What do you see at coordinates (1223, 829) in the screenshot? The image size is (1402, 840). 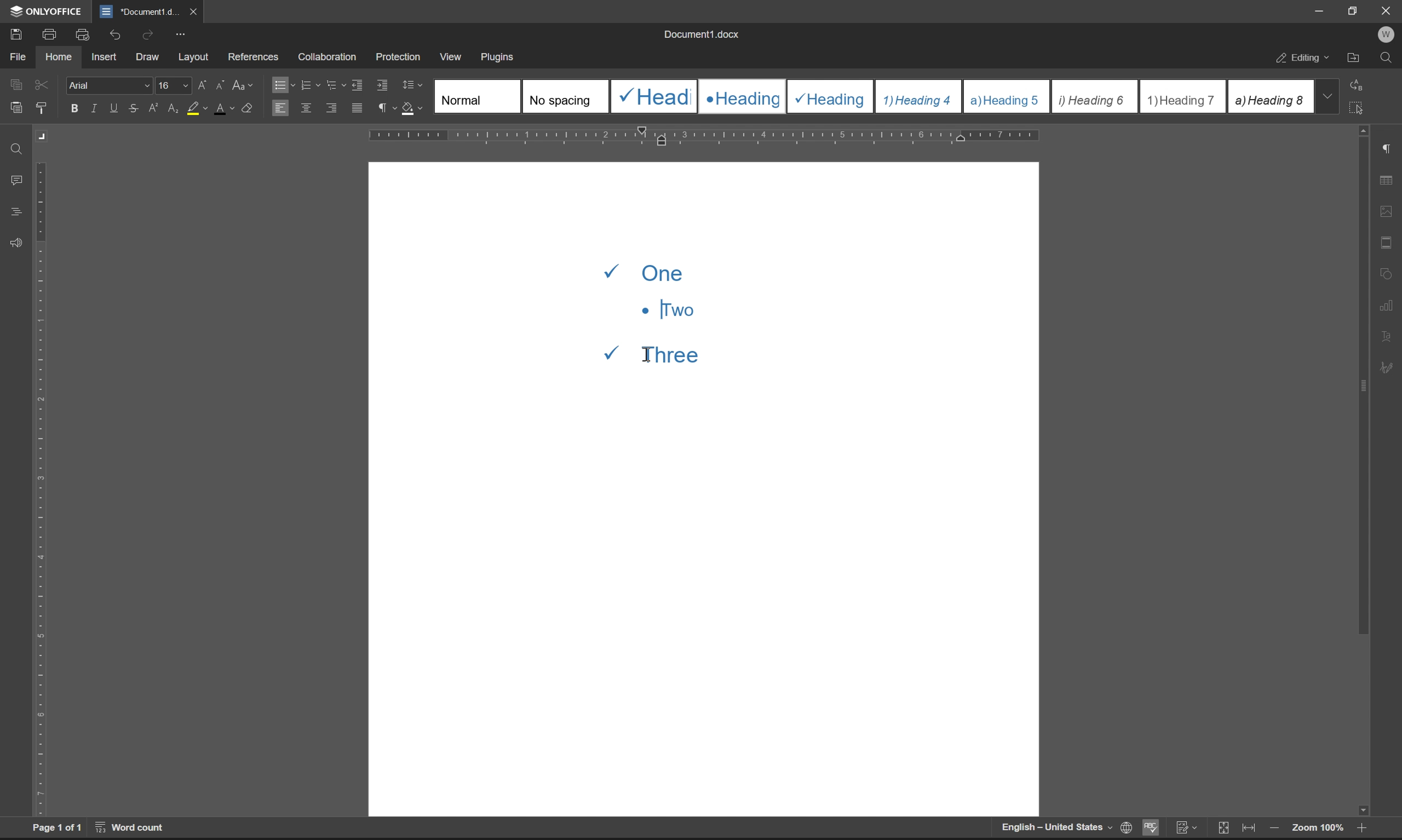 I see `fit to slide` at bounding box center [1223, 829].